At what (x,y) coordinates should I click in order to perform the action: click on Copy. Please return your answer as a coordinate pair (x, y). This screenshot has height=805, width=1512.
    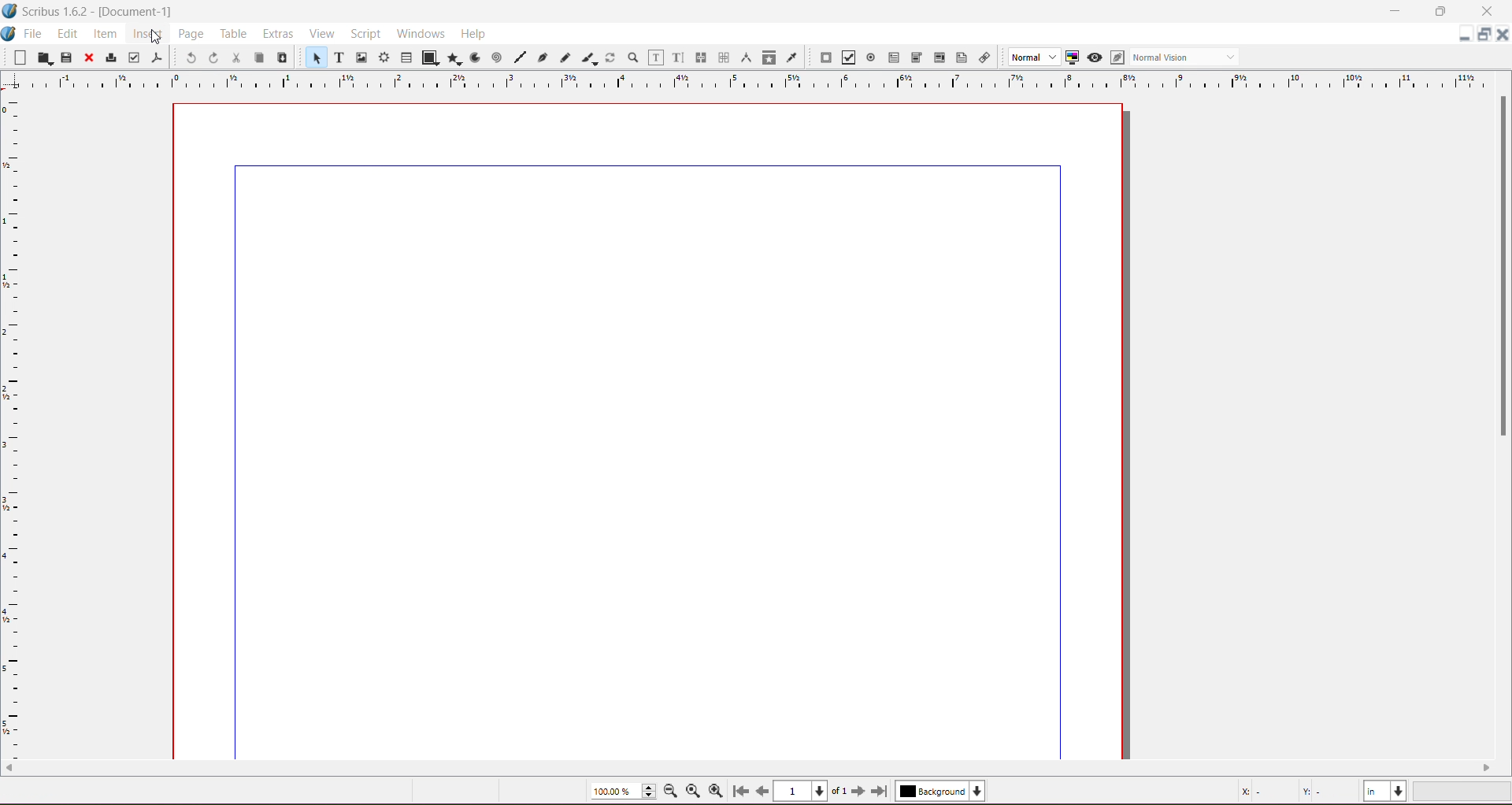
    Looking at the image, I should click on (258, 57).